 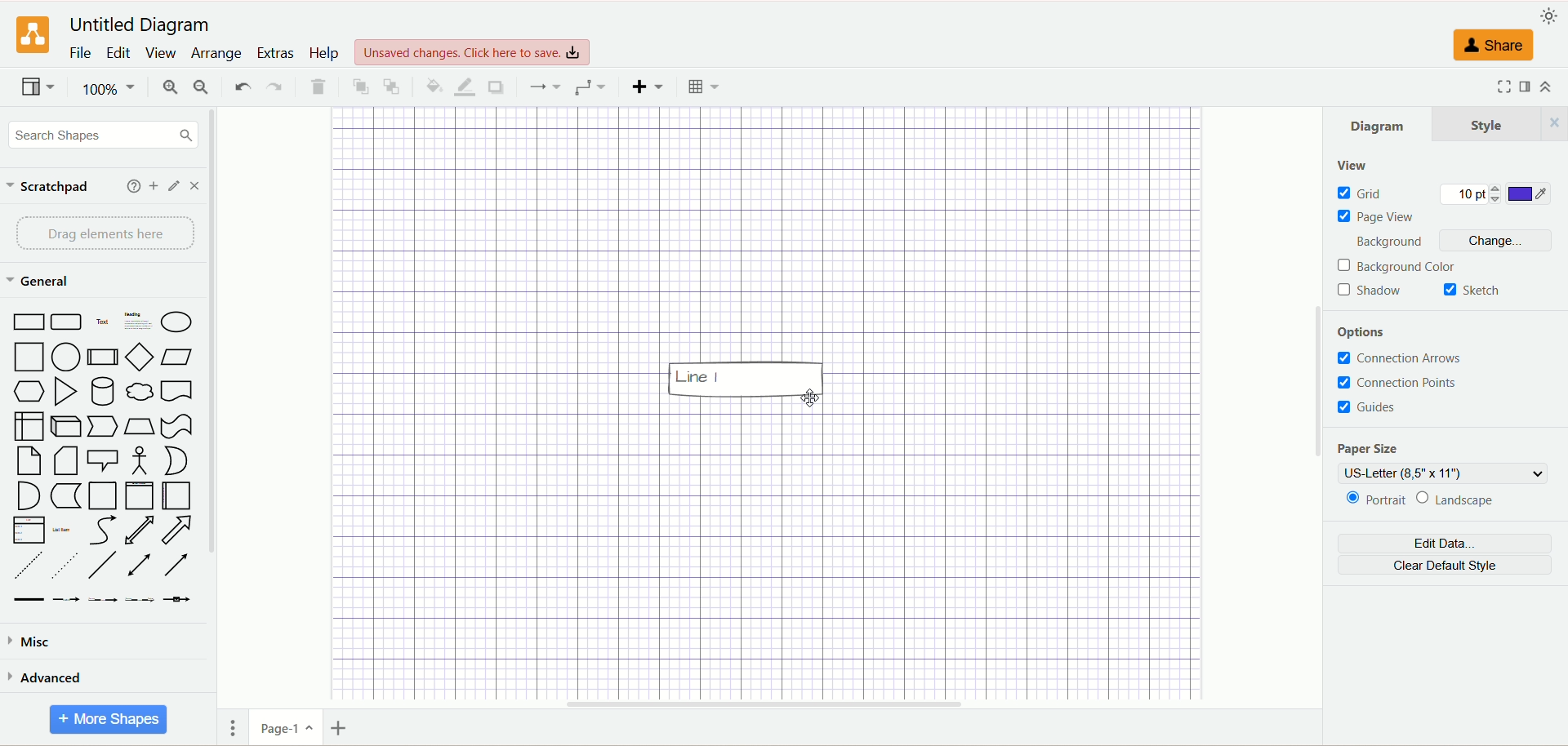 I want to click on Connector with 3 labels, so click(x=140, y=599).